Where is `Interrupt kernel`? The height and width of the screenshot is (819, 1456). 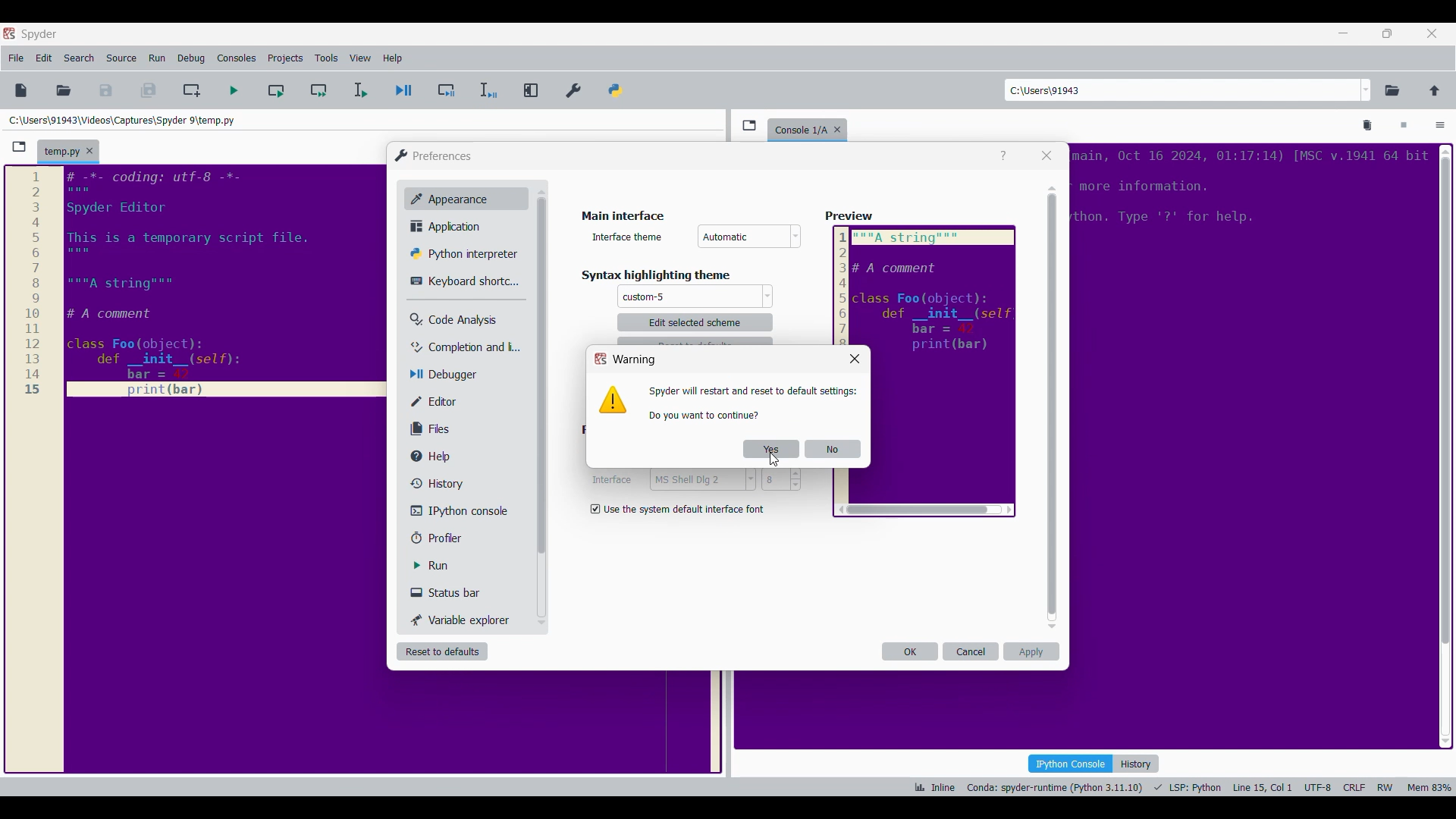
Interrupt kernel is located at coordinates (1404, 127).